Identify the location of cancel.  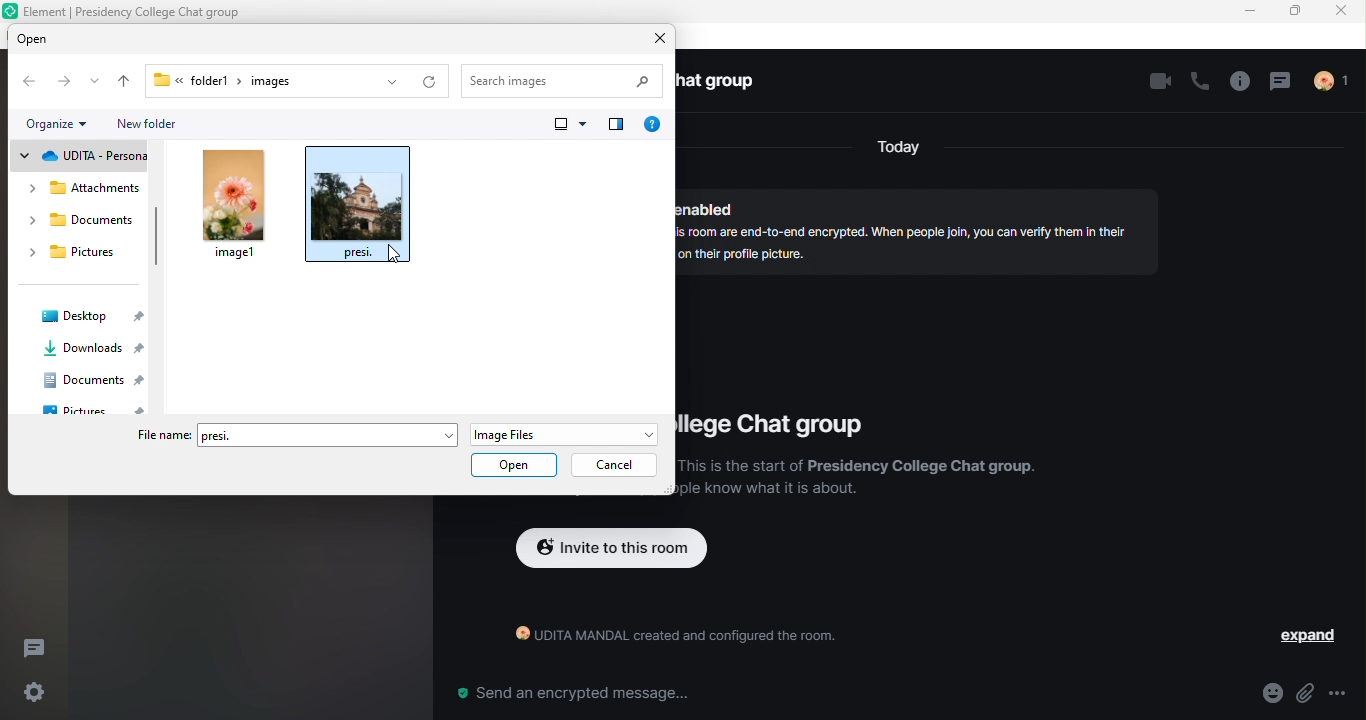
(617, 465).